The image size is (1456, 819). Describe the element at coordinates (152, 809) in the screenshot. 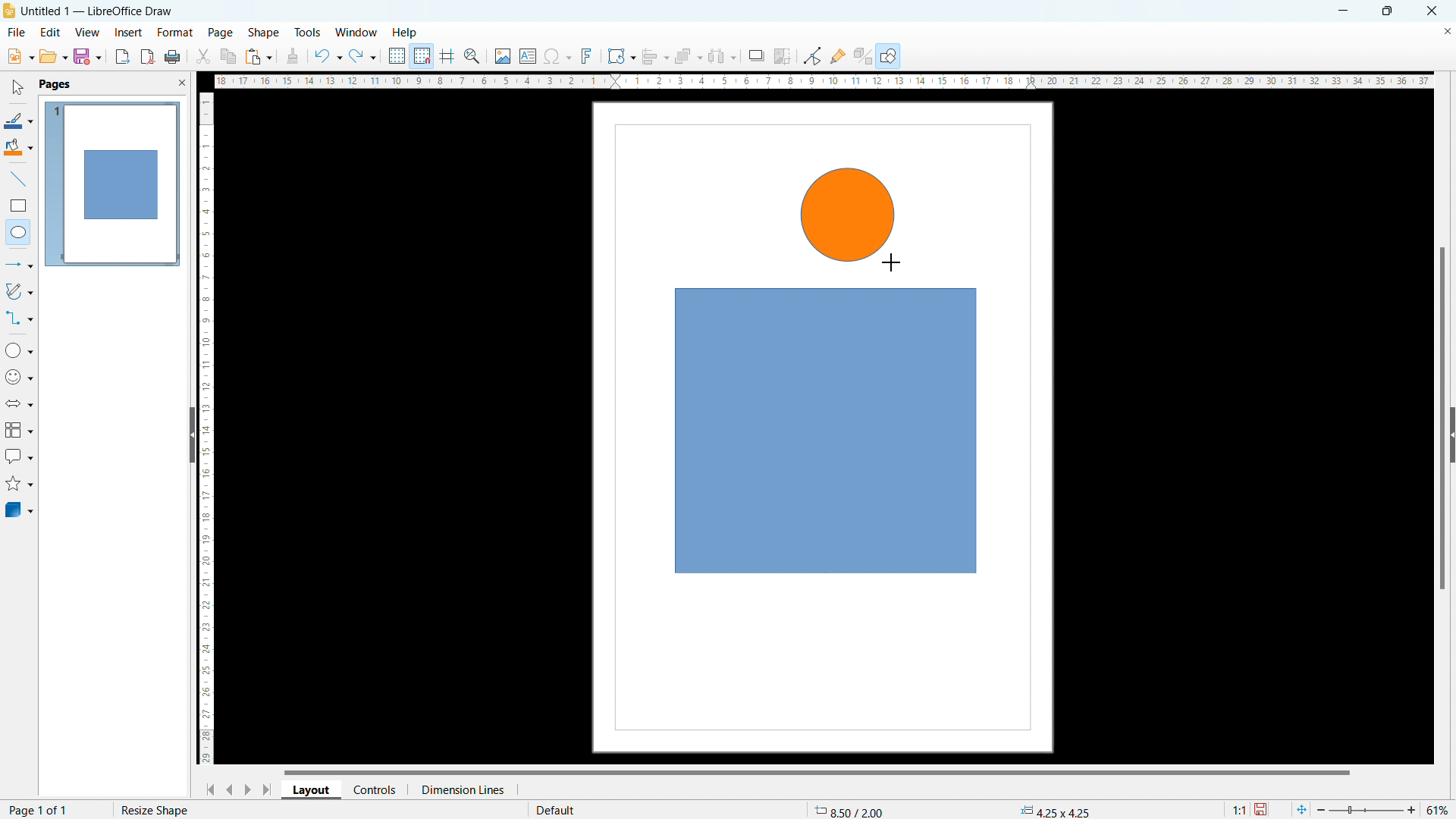

I see `action status` at that location.